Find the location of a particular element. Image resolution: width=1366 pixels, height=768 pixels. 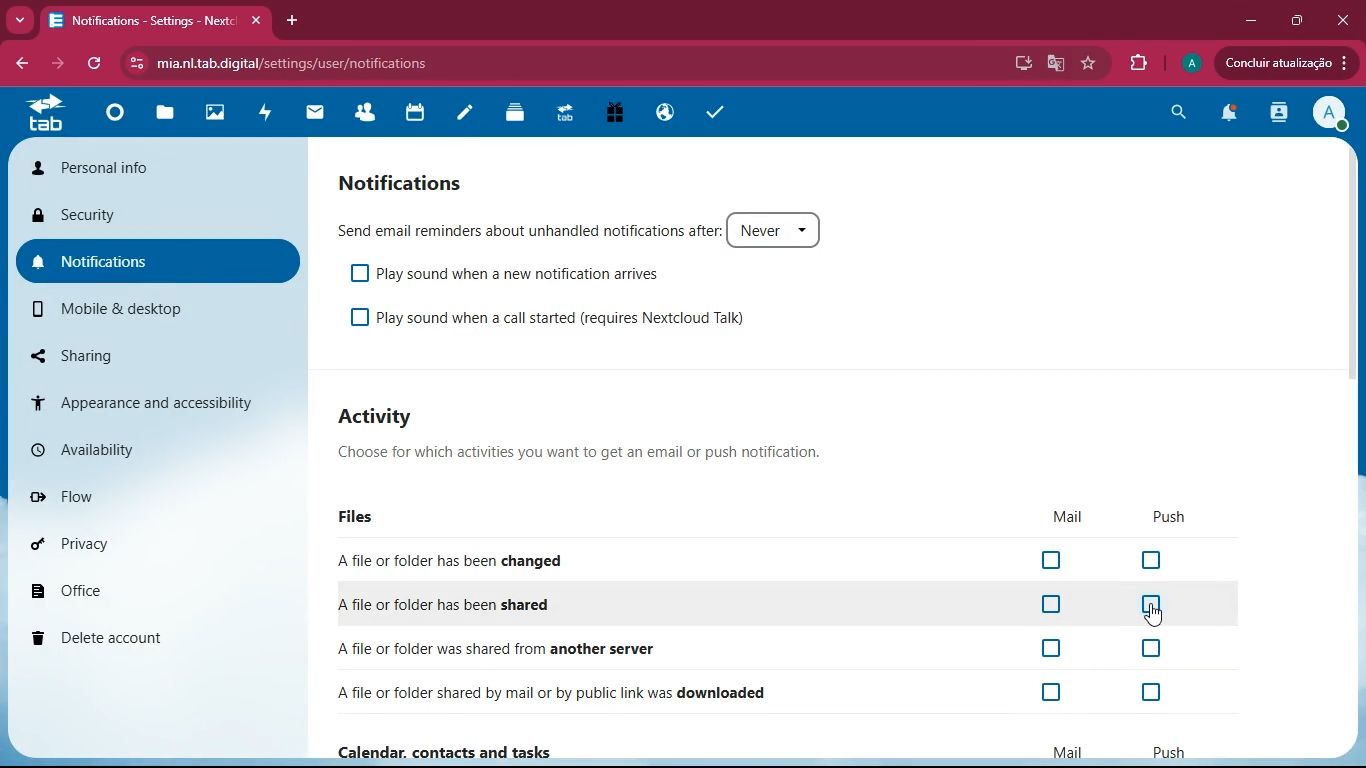

notifications is located at coordinates (407, 182).